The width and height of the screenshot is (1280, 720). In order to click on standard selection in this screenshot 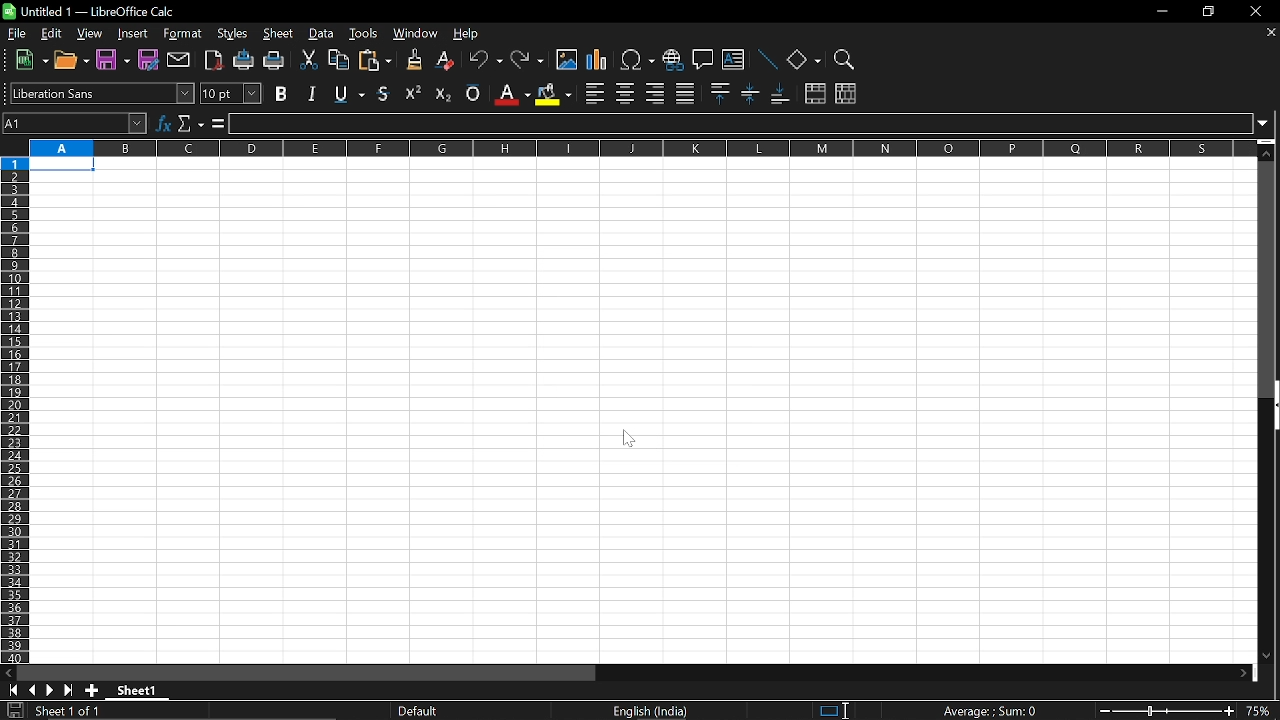, I will do `click(834, 710)`.